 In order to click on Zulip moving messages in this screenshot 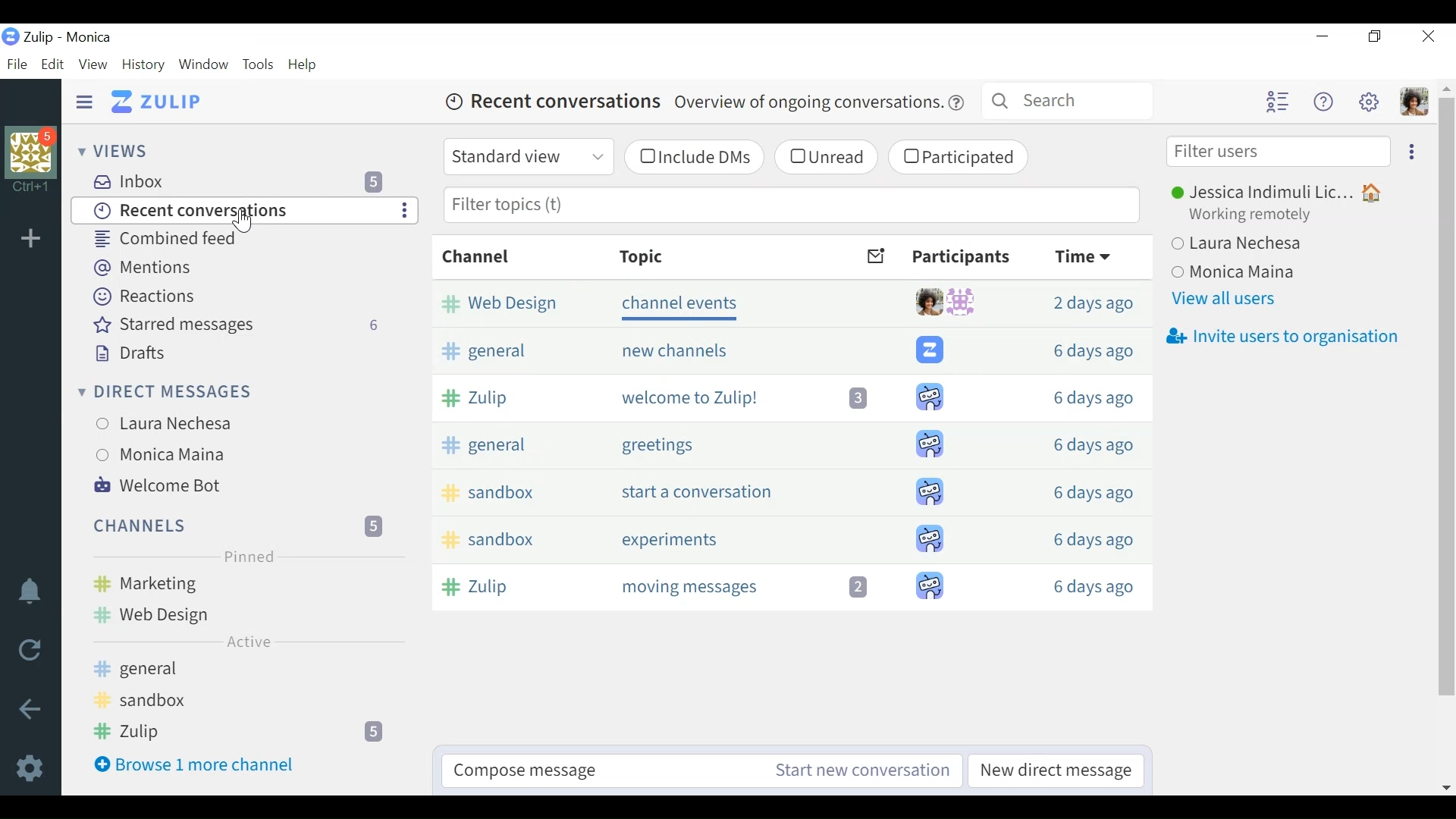, I will do `click(789, 589)`.